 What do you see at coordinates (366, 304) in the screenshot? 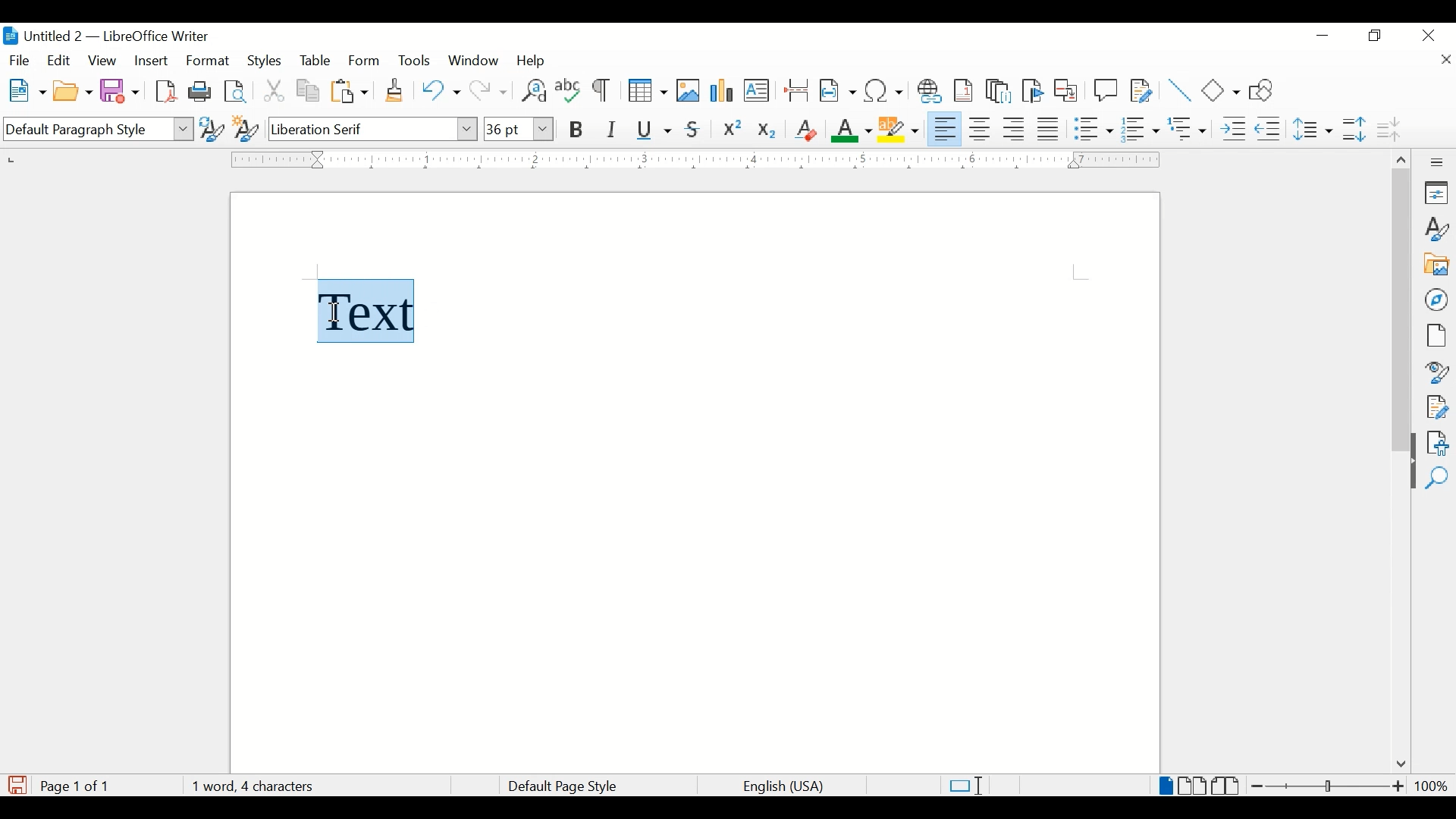
I see `text` at bounding box center [366, 304].